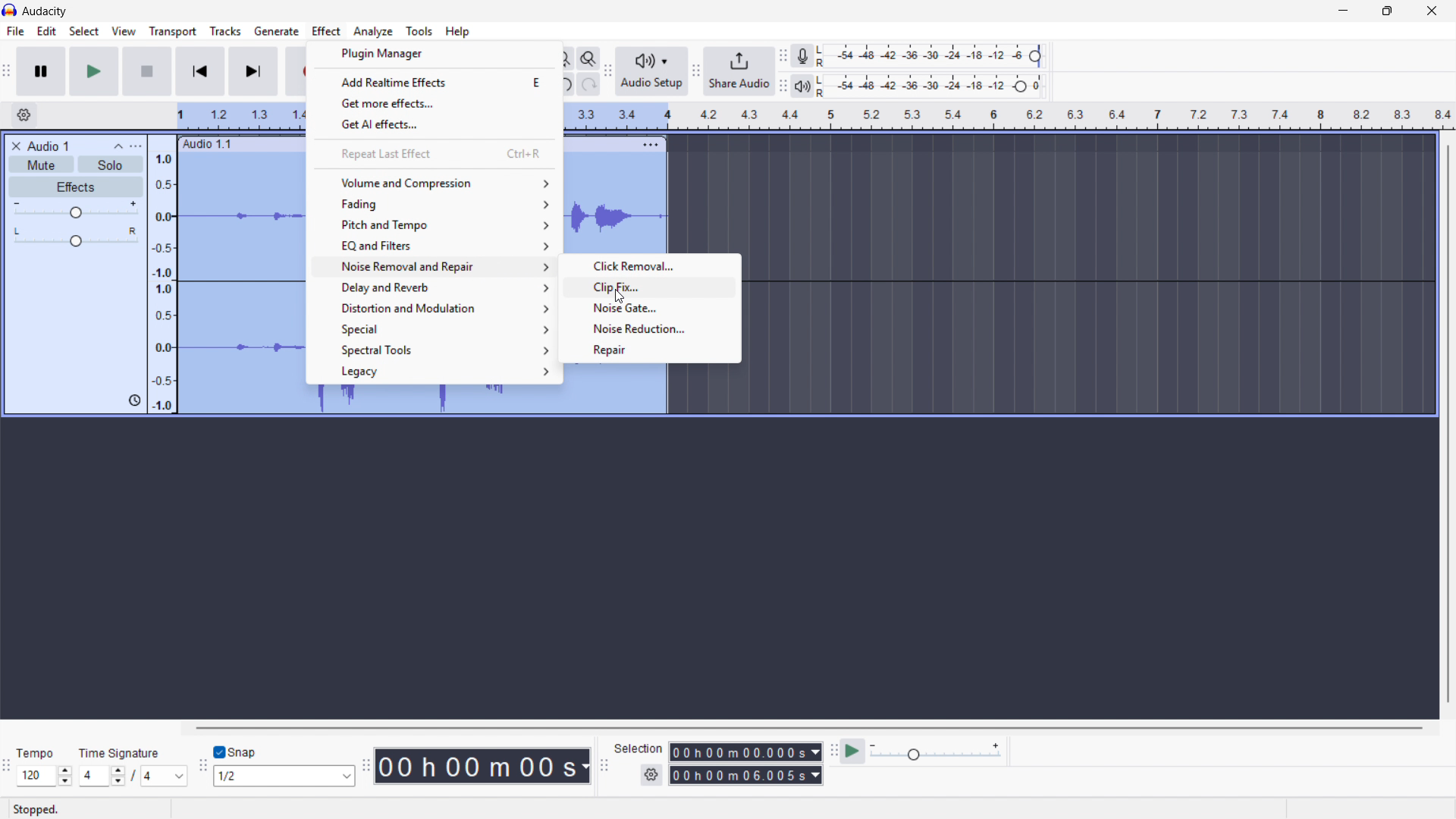 The height and width of the screenshot is (819, 1456). I want to click on redo, so click(588, 85).